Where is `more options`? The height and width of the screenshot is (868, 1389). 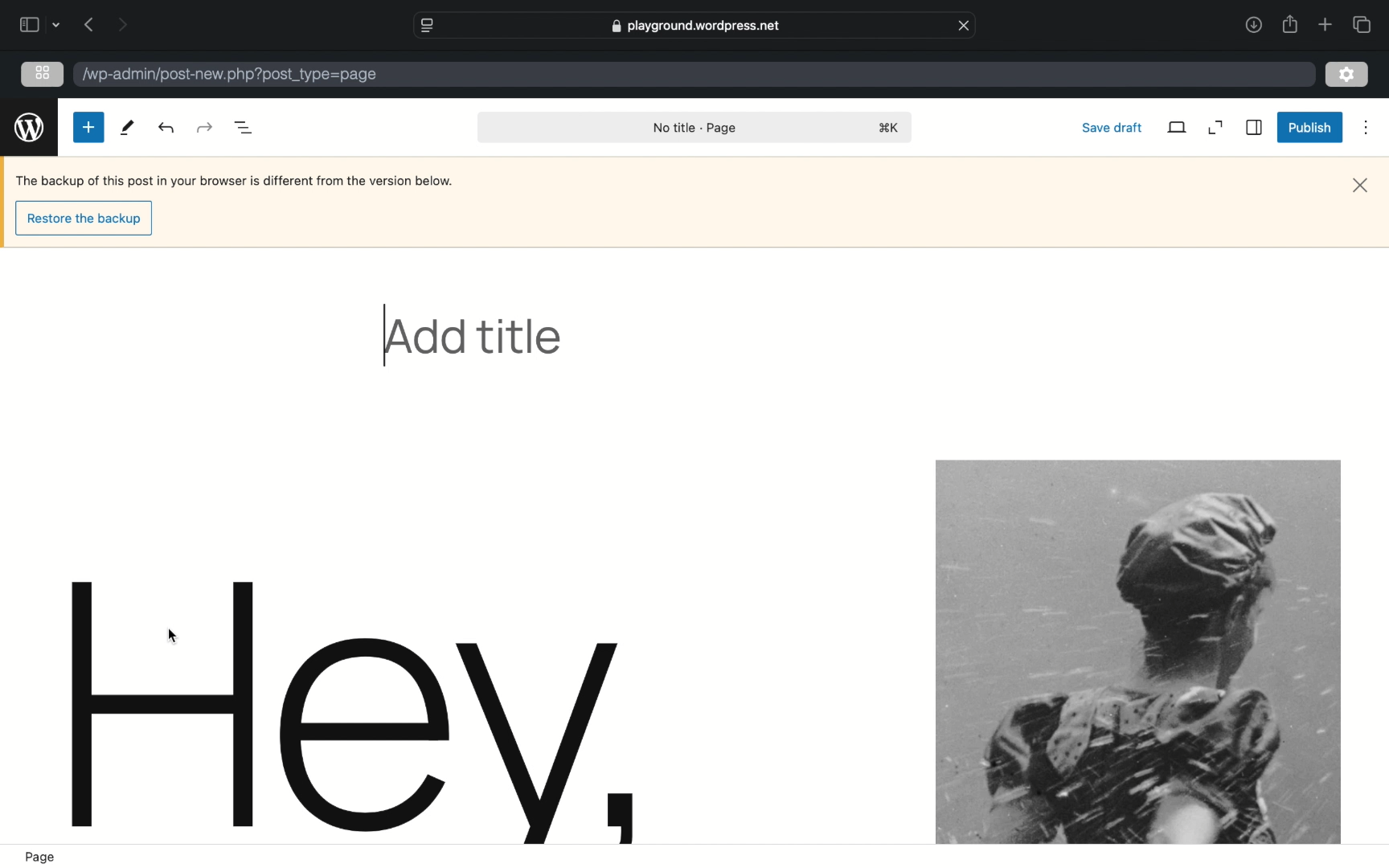 more options is located at coordinates (1366, 128).